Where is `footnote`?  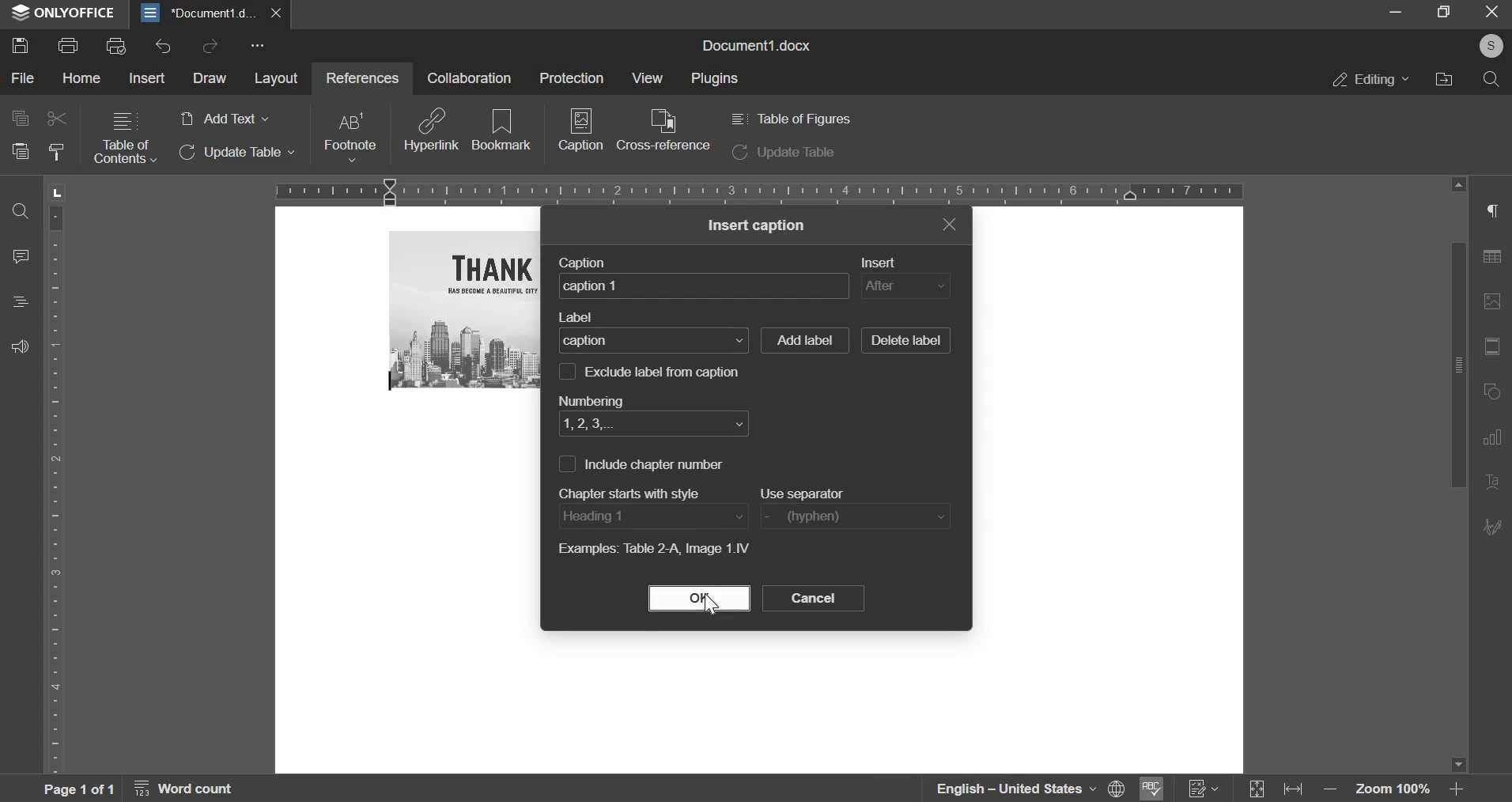
footnote is located at coordinates (349, 137).